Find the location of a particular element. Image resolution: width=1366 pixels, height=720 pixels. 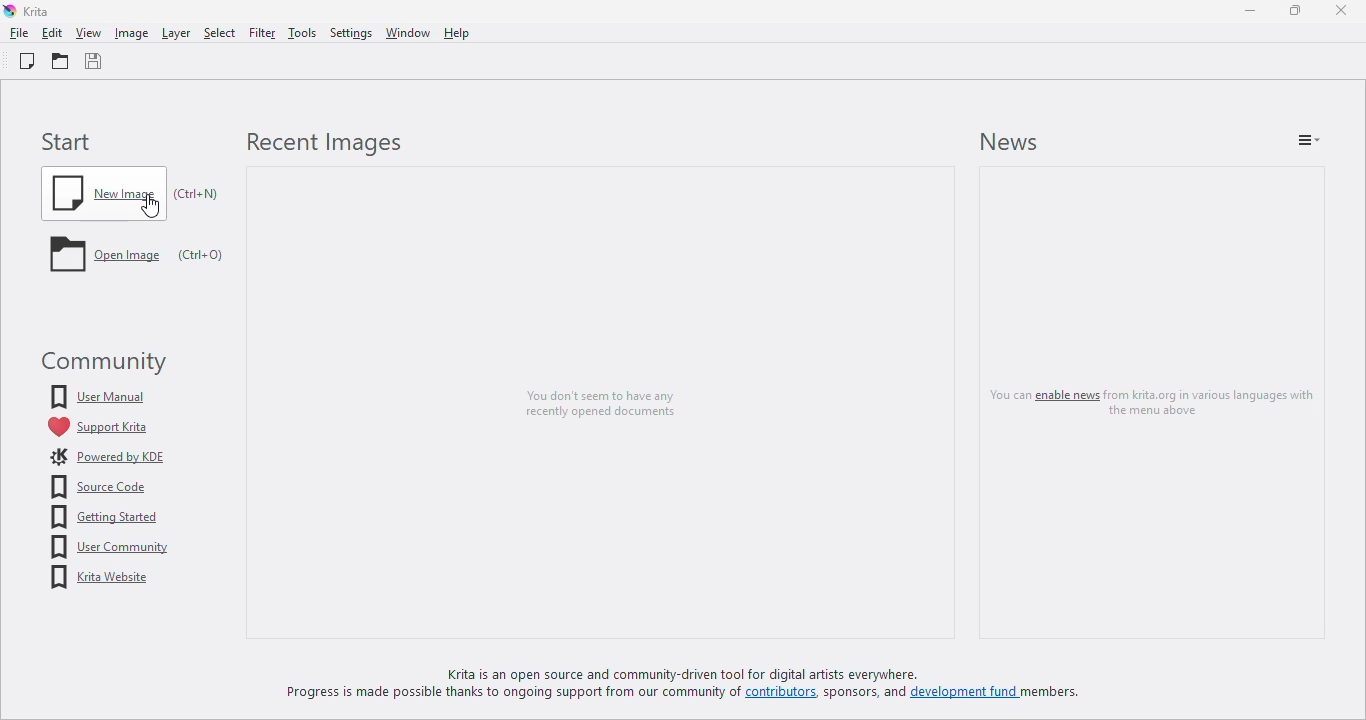

getting started is located at coordinates (104, 517).